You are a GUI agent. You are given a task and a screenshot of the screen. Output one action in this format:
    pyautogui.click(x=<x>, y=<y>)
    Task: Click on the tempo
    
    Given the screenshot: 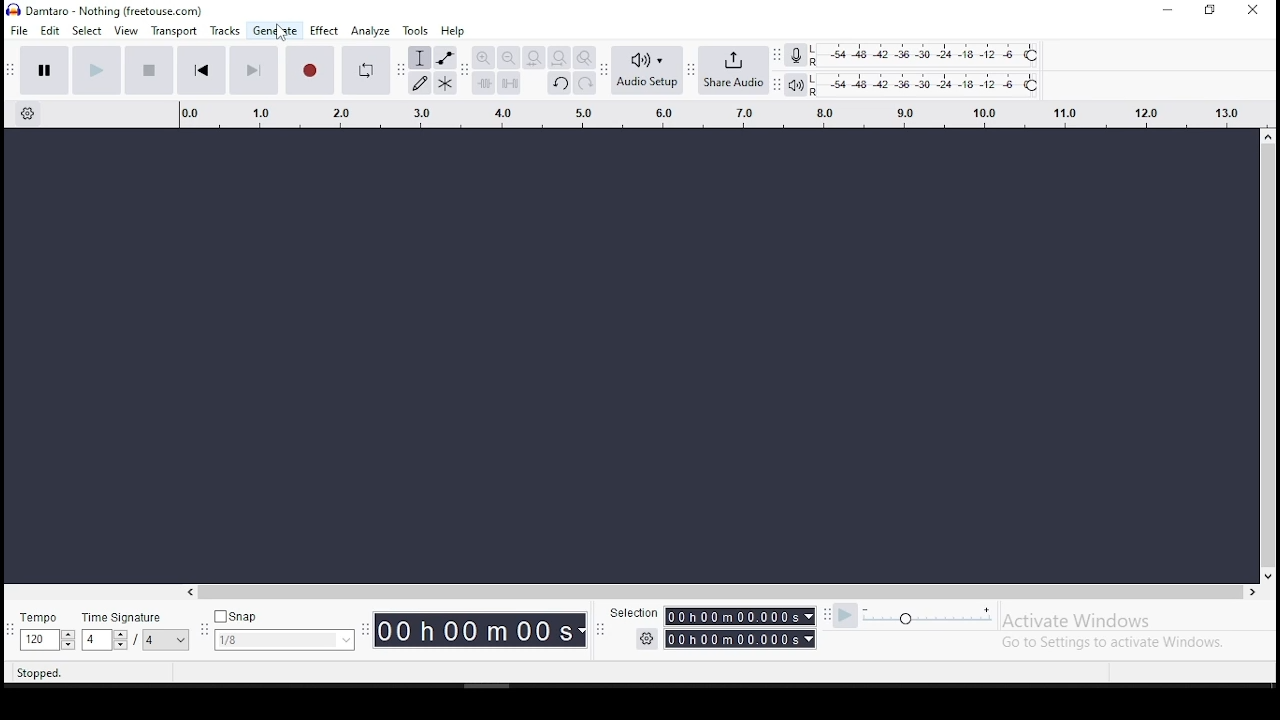 What is the action you would take?
    pyautogui.click(x=37, y=631)
    